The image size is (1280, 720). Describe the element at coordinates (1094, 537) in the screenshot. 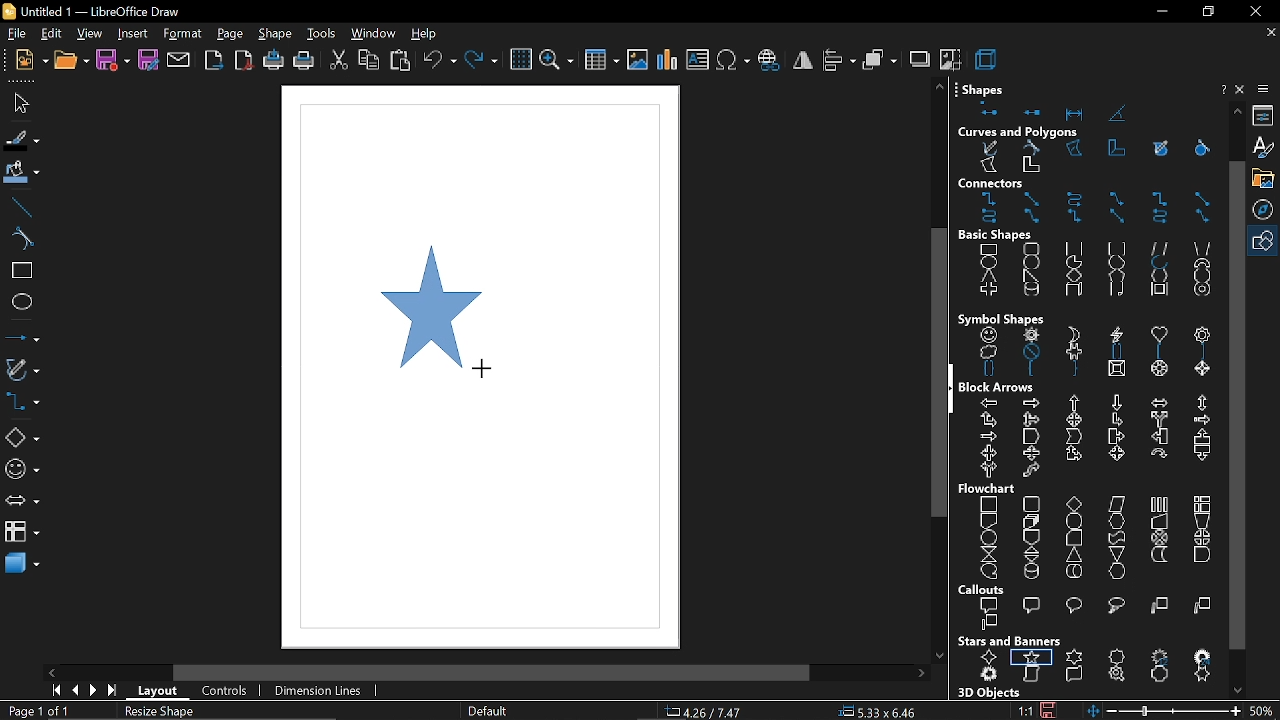

I see `flowchart` at that location.